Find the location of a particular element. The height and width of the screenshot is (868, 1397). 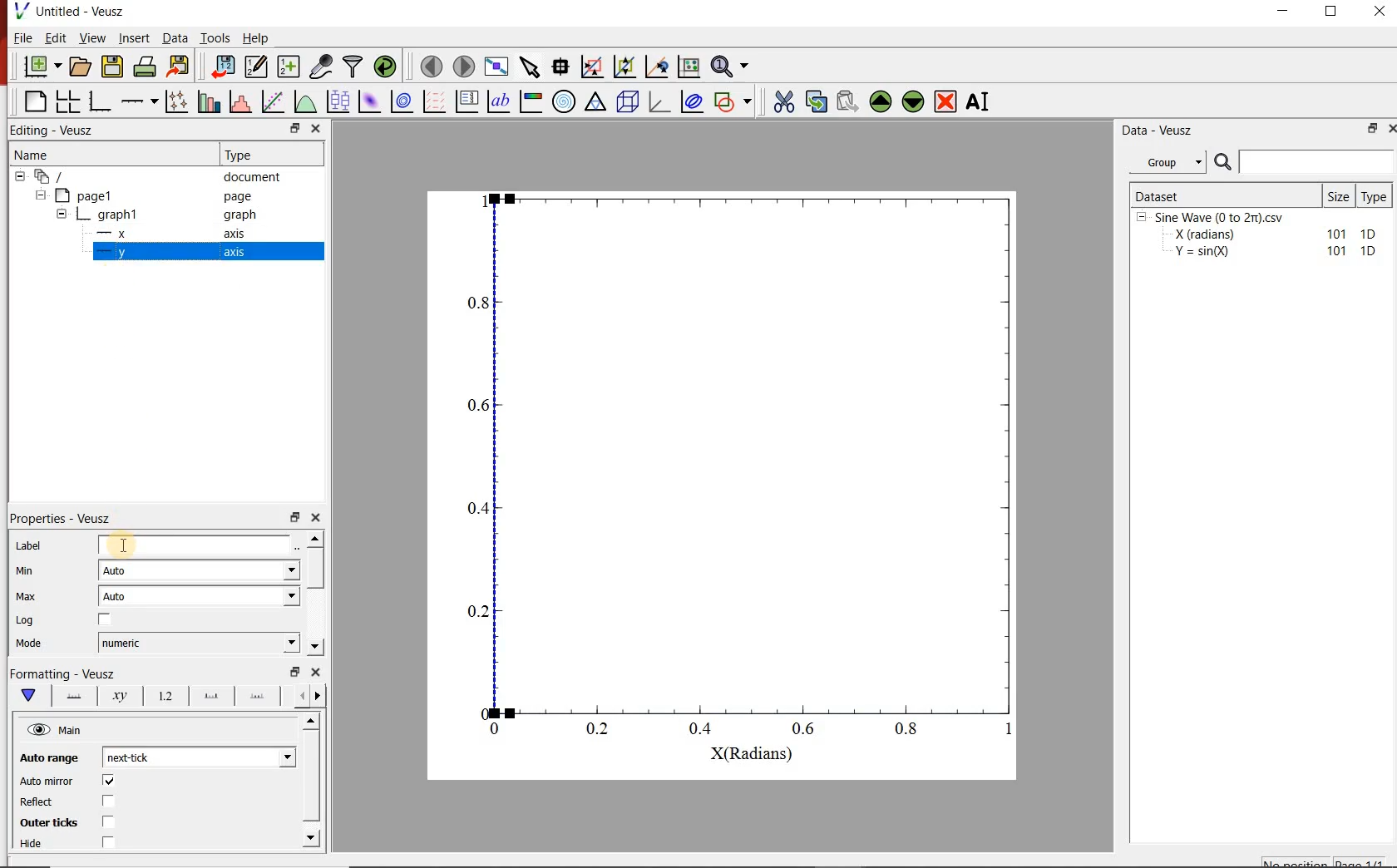

Close is located at coordinates (1389, 131).